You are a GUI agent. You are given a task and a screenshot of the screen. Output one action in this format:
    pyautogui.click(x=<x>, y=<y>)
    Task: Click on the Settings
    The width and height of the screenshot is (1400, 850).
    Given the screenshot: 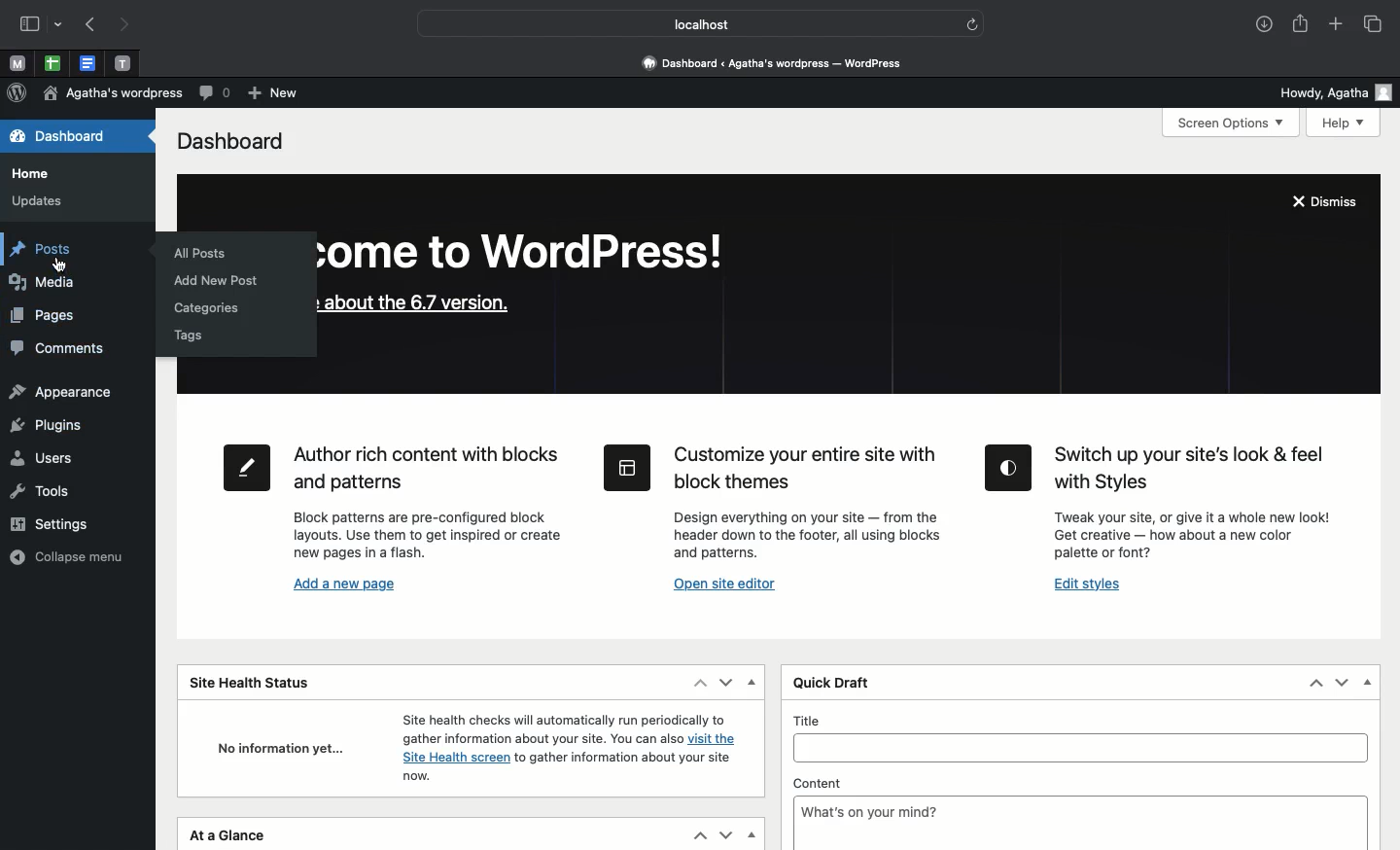 What is the action you would take?
    pyautogui.click(x=60, y=524)
    